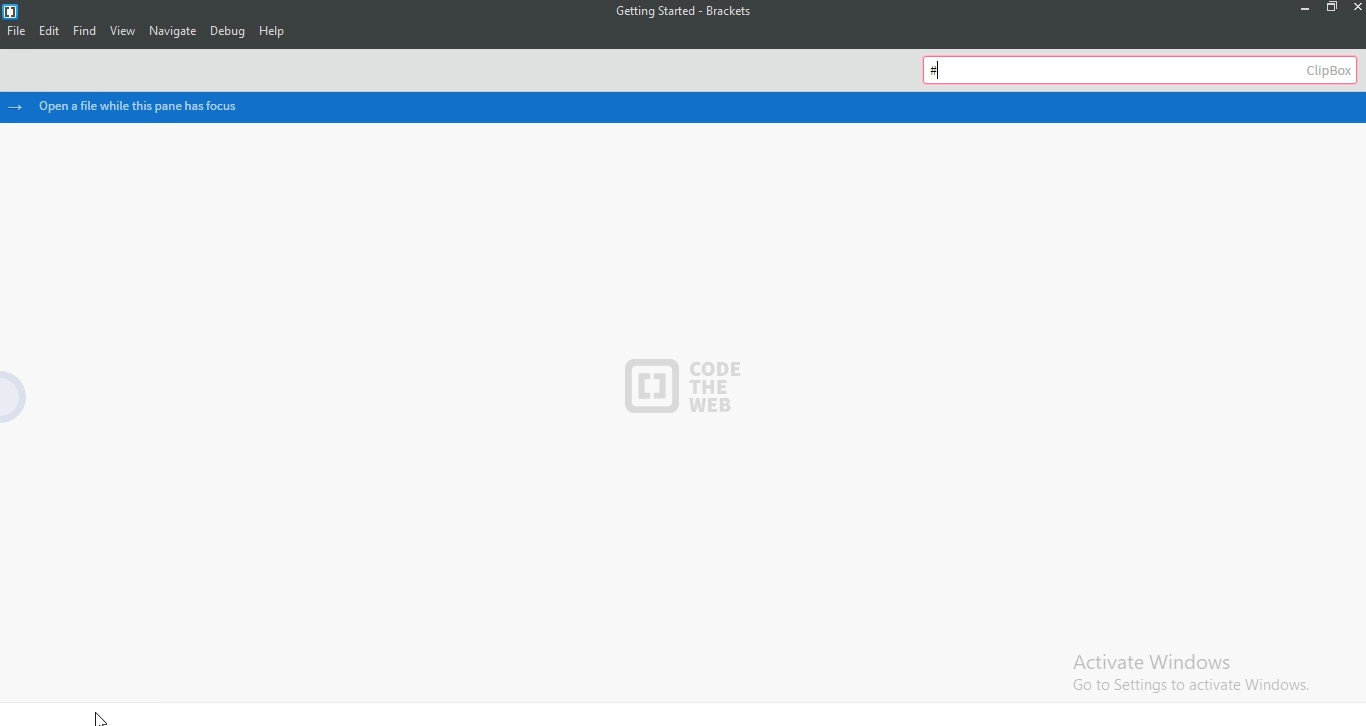 The width and height of the screenshot is (1366, 726). What do you see at coordinates (122, 34) in the screenshot?
I see `View` at bounding box center [122, 34].